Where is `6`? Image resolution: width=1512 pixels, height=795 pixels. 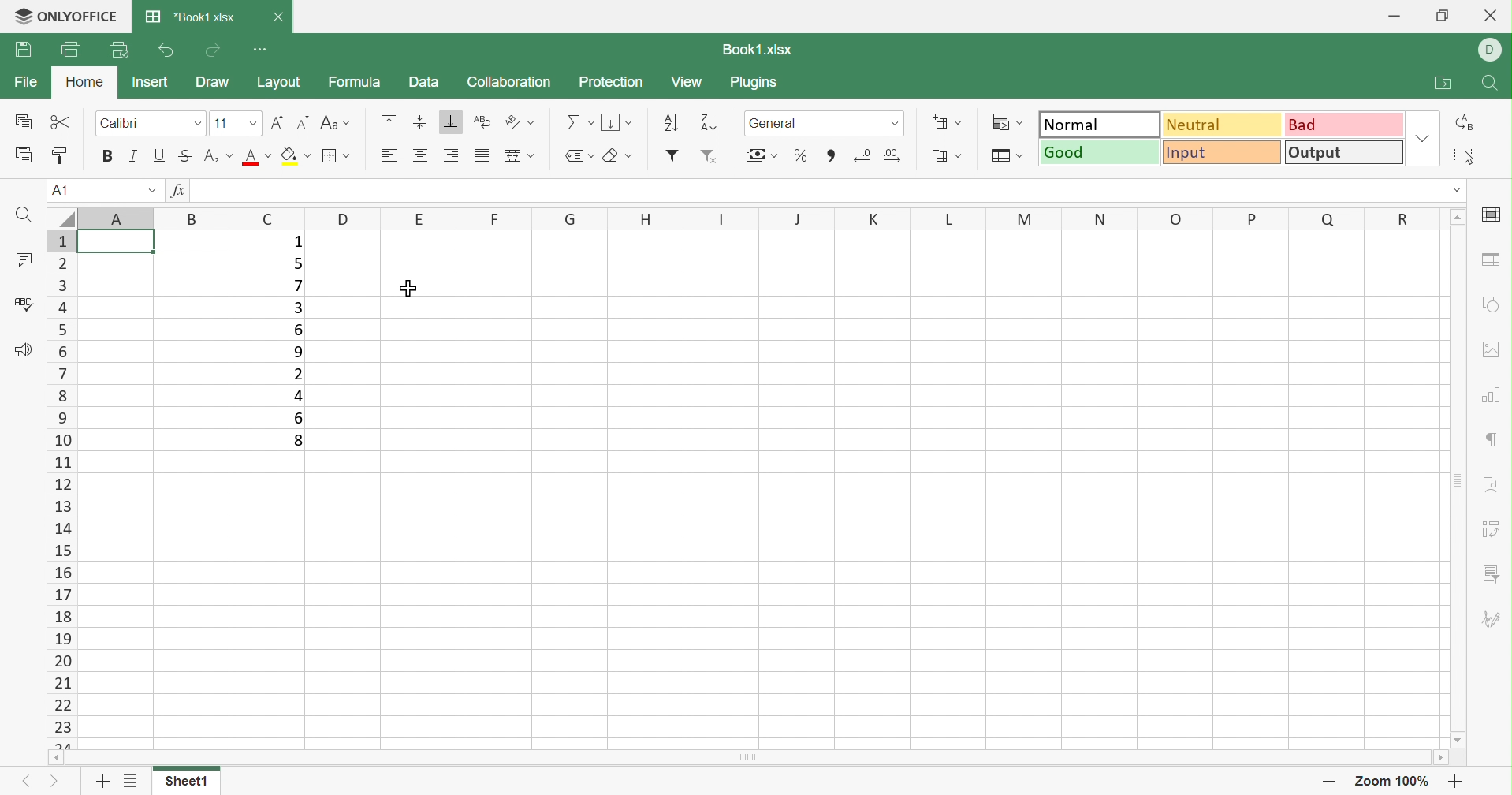 6 is located at coordinates (296, 417).